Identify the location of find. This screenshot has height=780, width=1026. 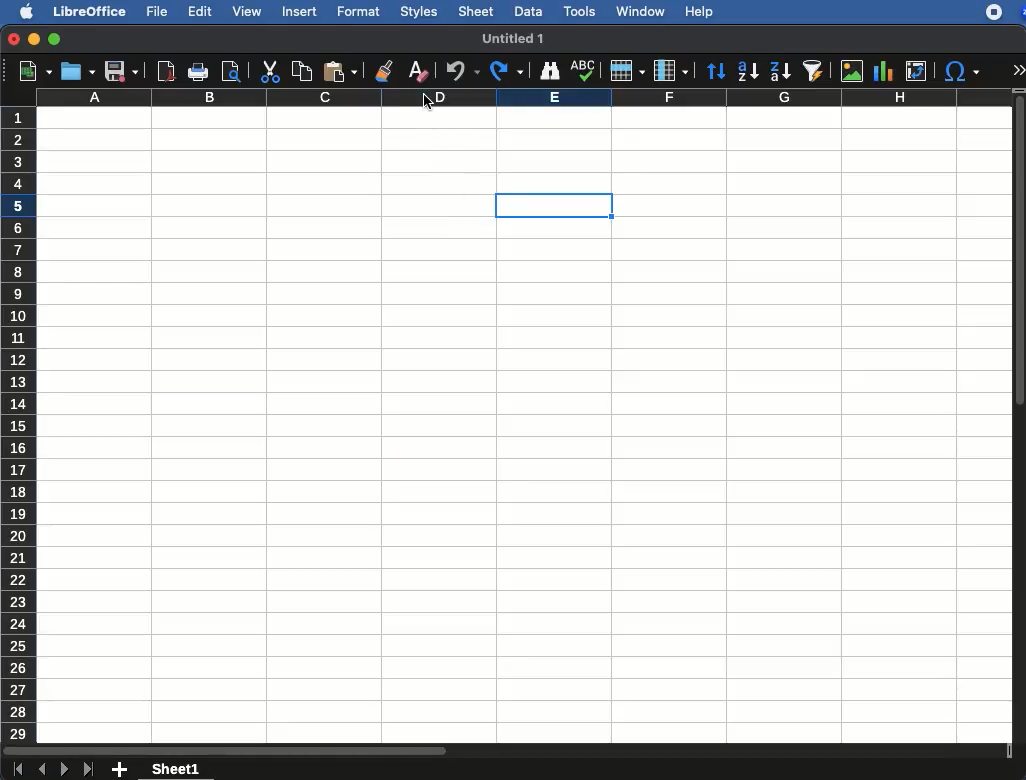
(548, 69).